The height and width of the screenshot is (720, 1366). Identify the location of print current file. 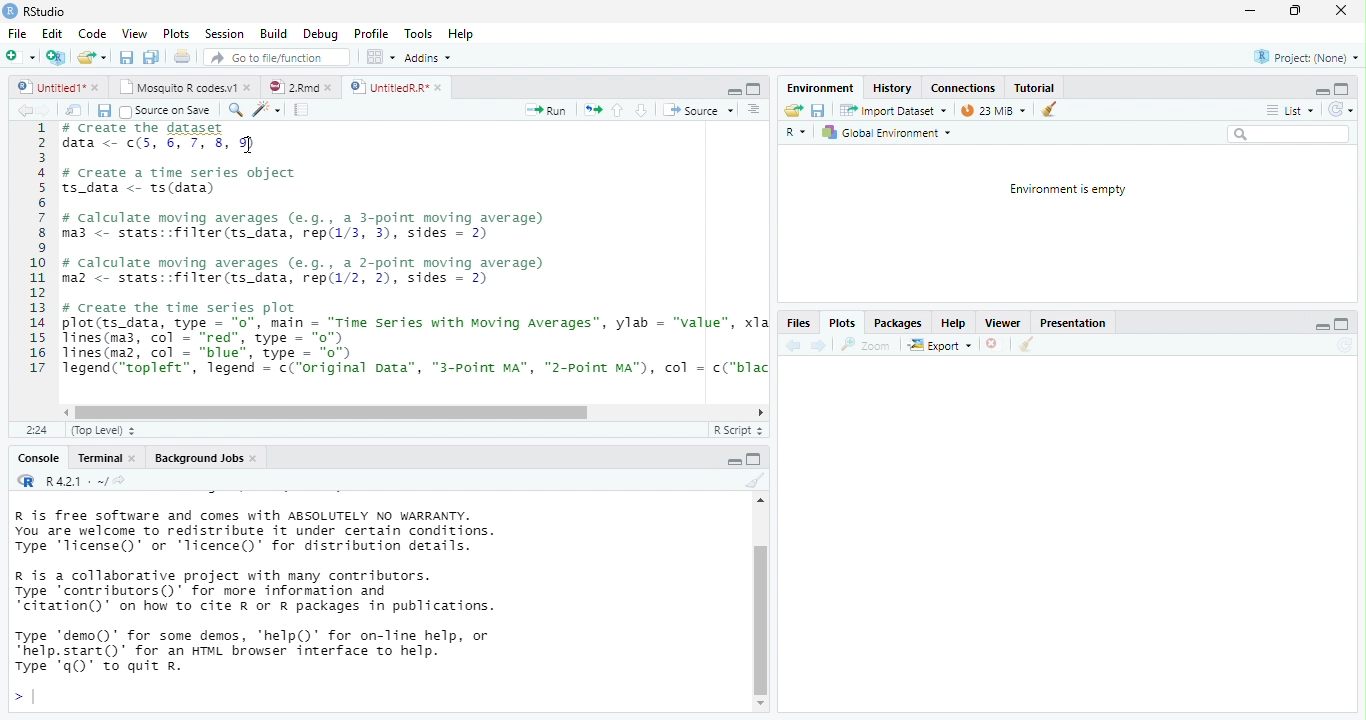
(151, 57).